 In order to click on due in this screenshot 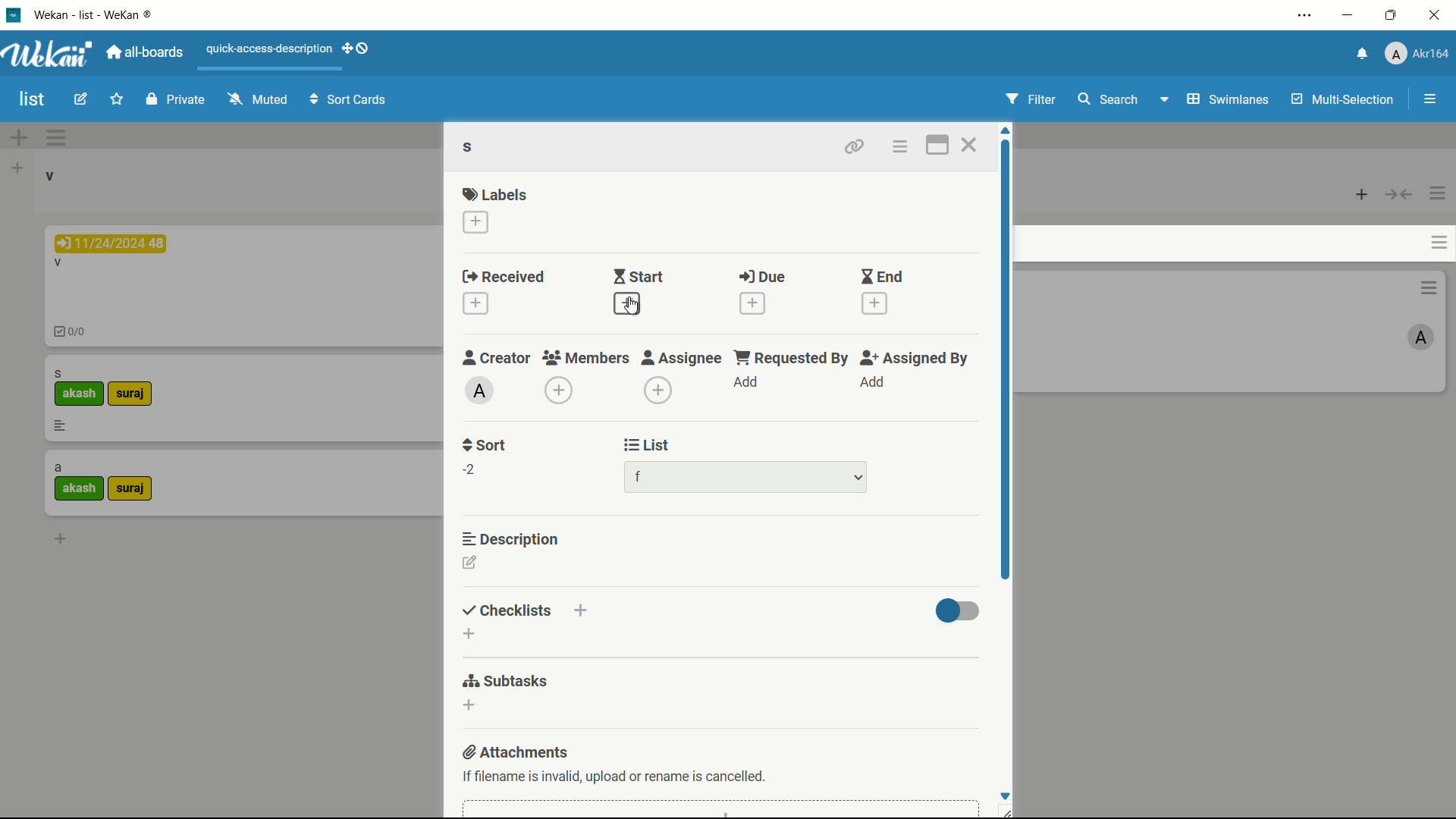, I will do `click(766, 277)`.